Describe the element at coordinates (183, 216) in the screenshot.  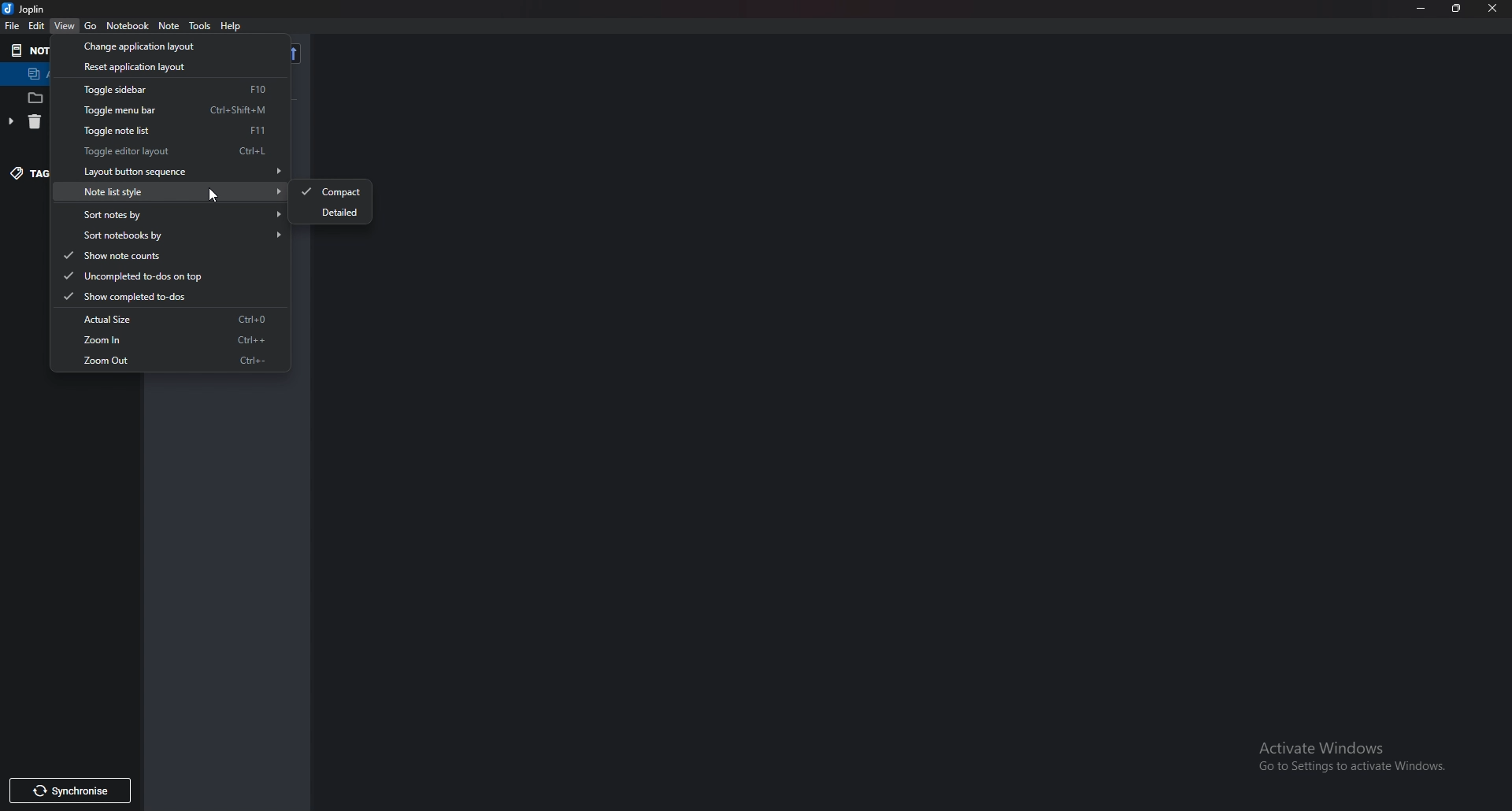
I see `Sort notes by` at that location.